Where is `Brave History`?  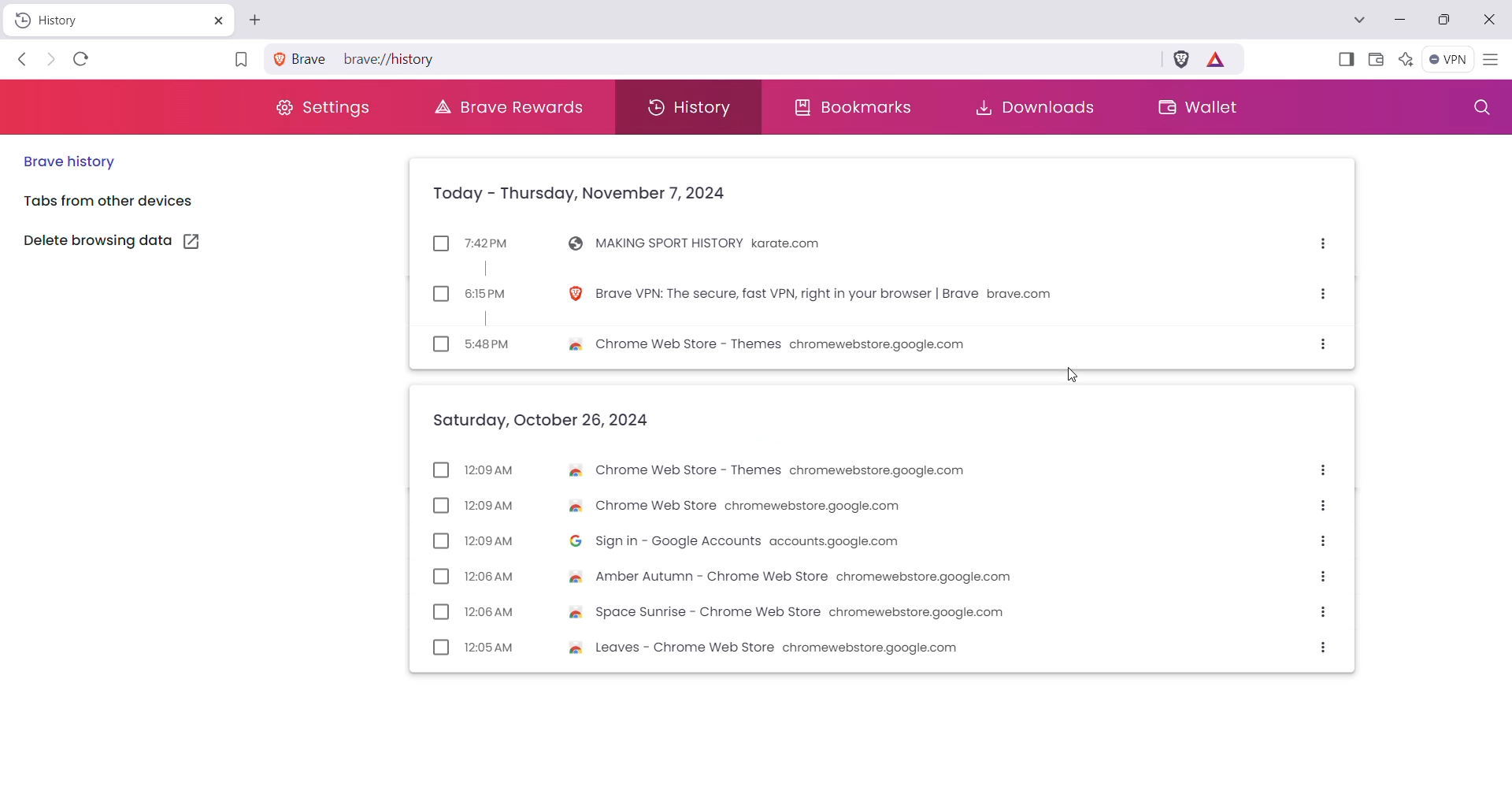
Brave History is located at coordinates (71, 162).